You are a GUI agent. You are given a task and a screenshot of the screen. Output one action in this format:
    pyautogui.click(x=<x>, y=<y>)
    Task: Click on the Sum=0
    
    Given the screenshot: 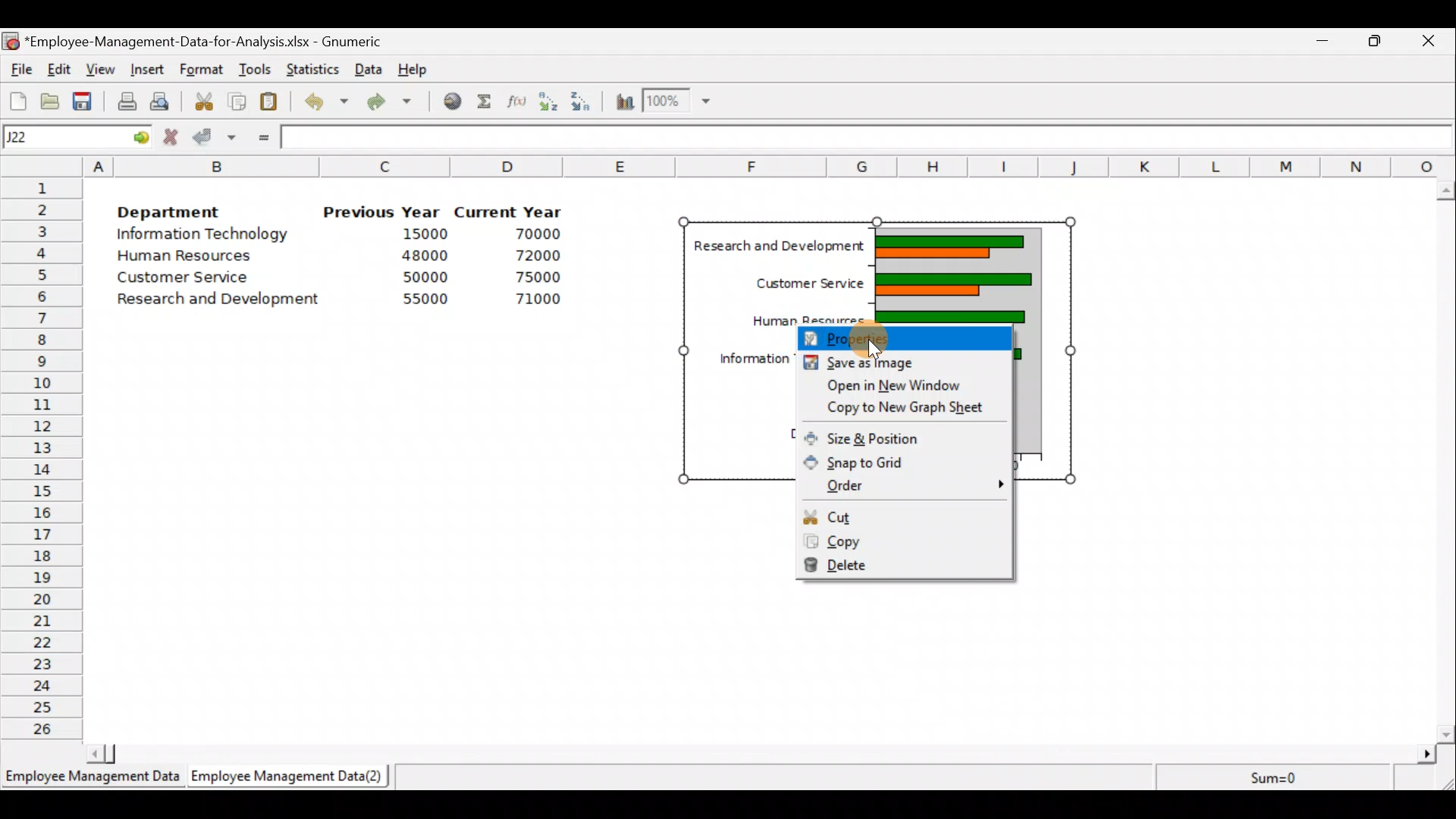 What is the action you would take?
    pyautogui.click(x=1279, y=774)
    